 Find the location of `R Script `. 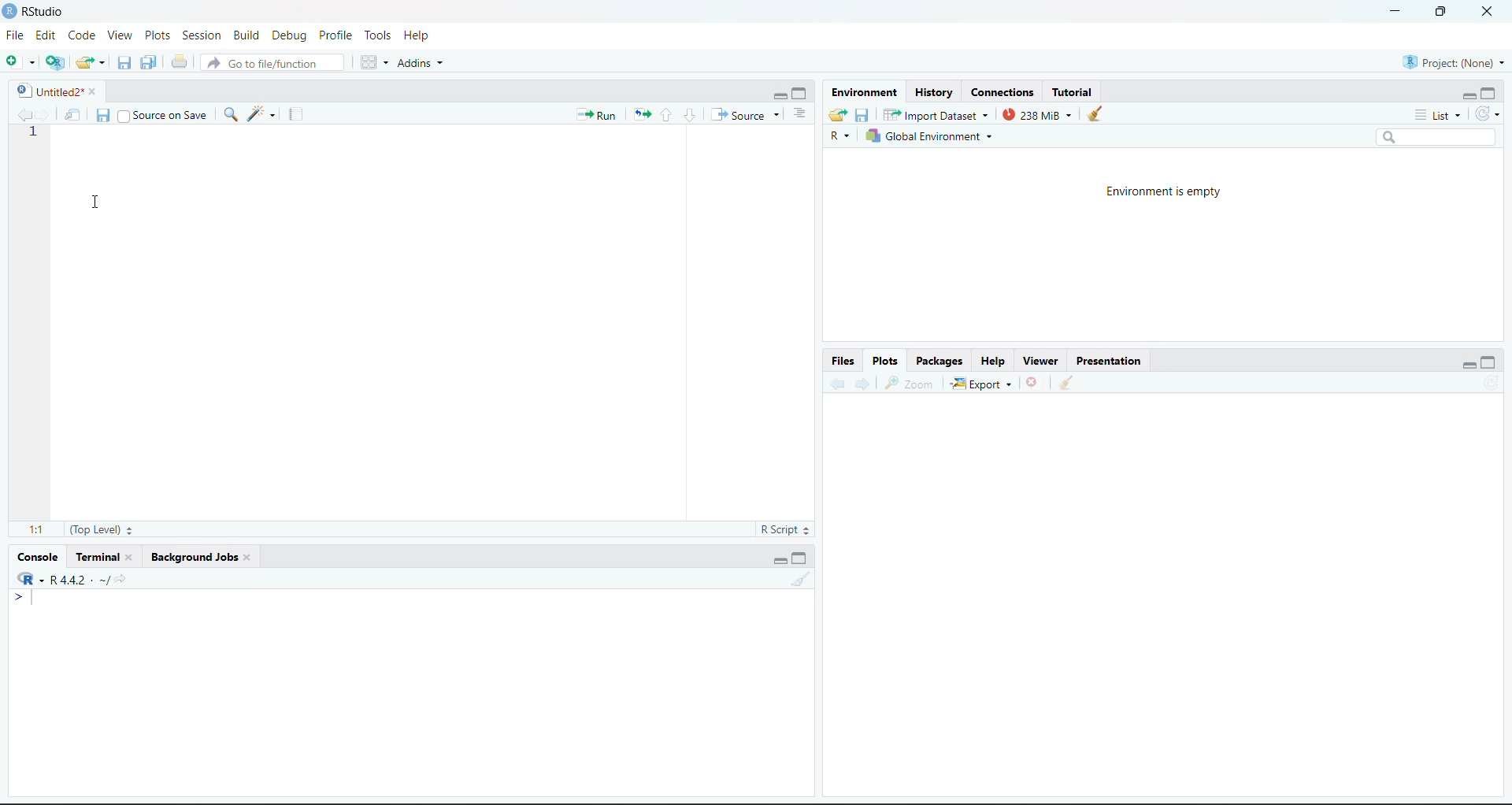

R Script  is located at coordinates (784, 529).